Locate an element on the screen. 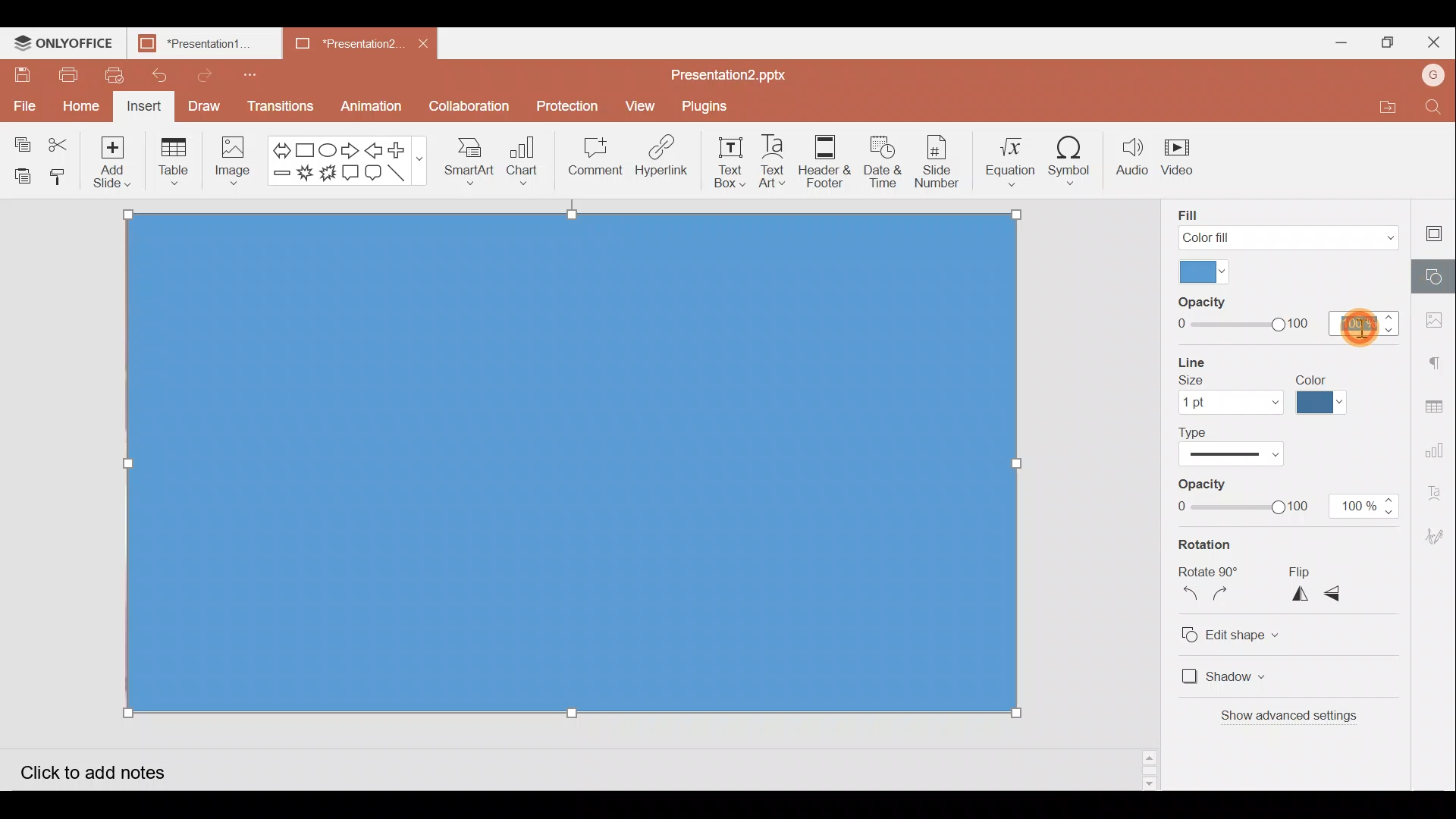  Protection is located at coordinates (563, 105).